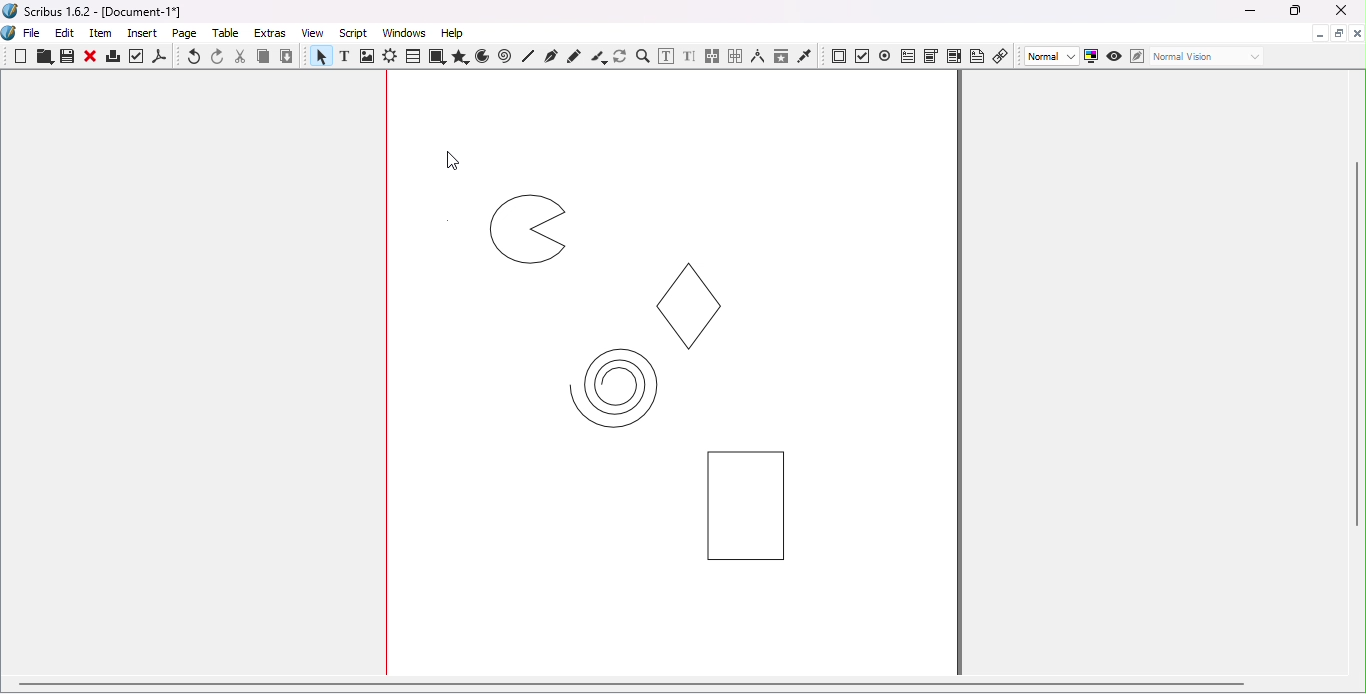 Image resolution: width=1366 pixels, height=694 pixels. I want to click on Help, so click(452, 33).